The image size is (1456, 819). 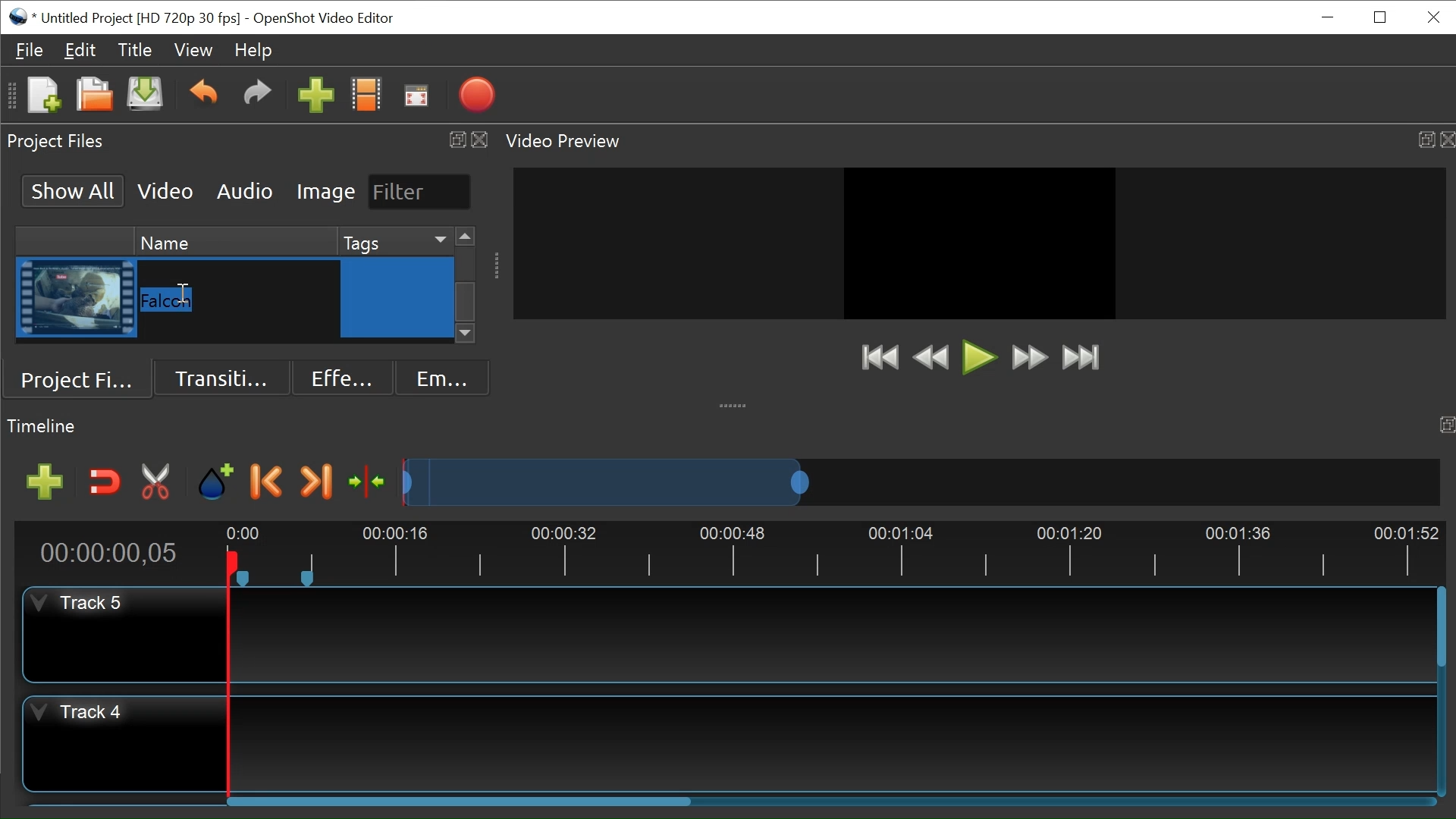 I want to click on Scroll up, so click(x=465, y=237).